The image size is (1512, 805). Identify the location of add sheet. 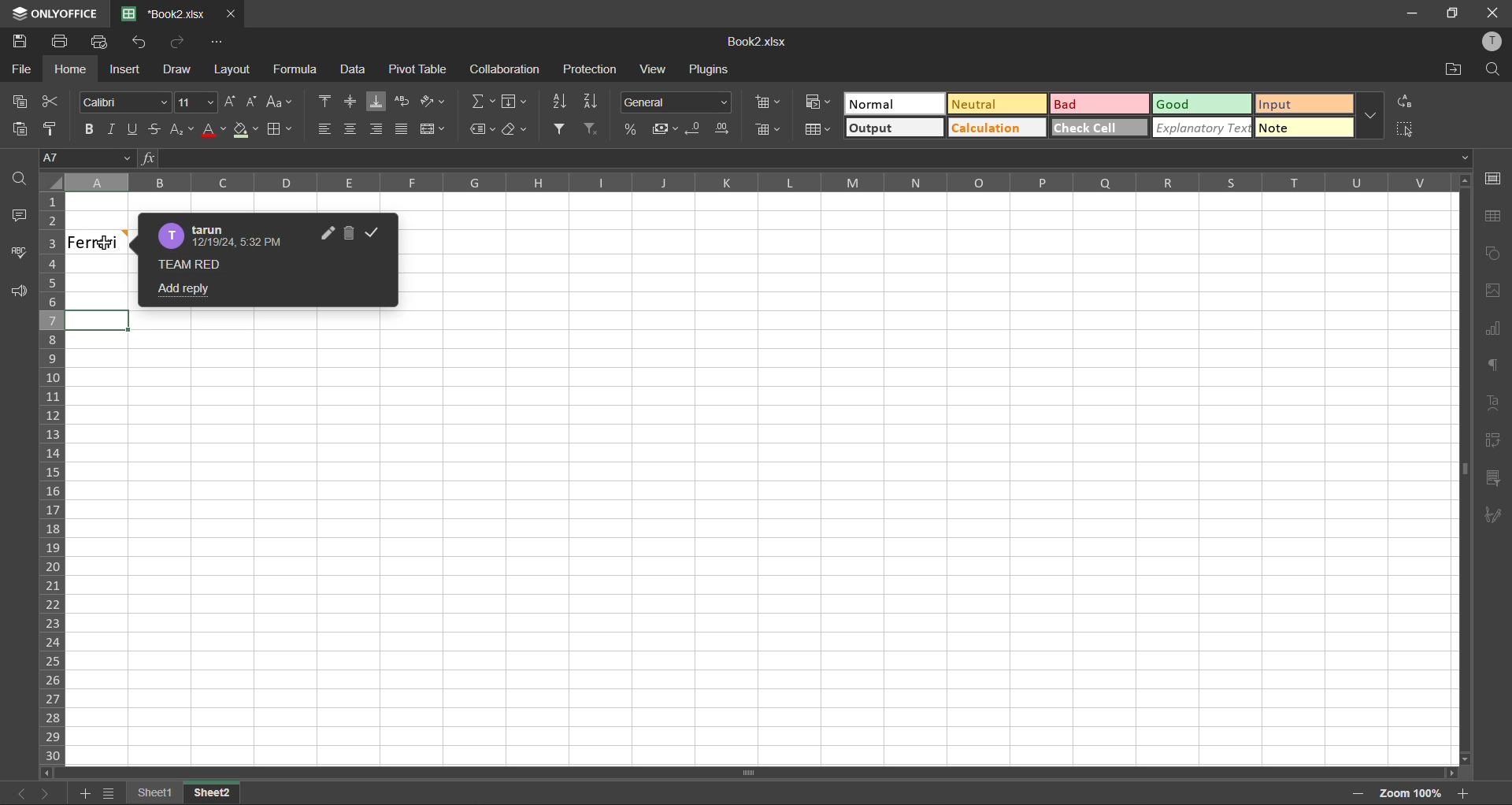
(86, 792).